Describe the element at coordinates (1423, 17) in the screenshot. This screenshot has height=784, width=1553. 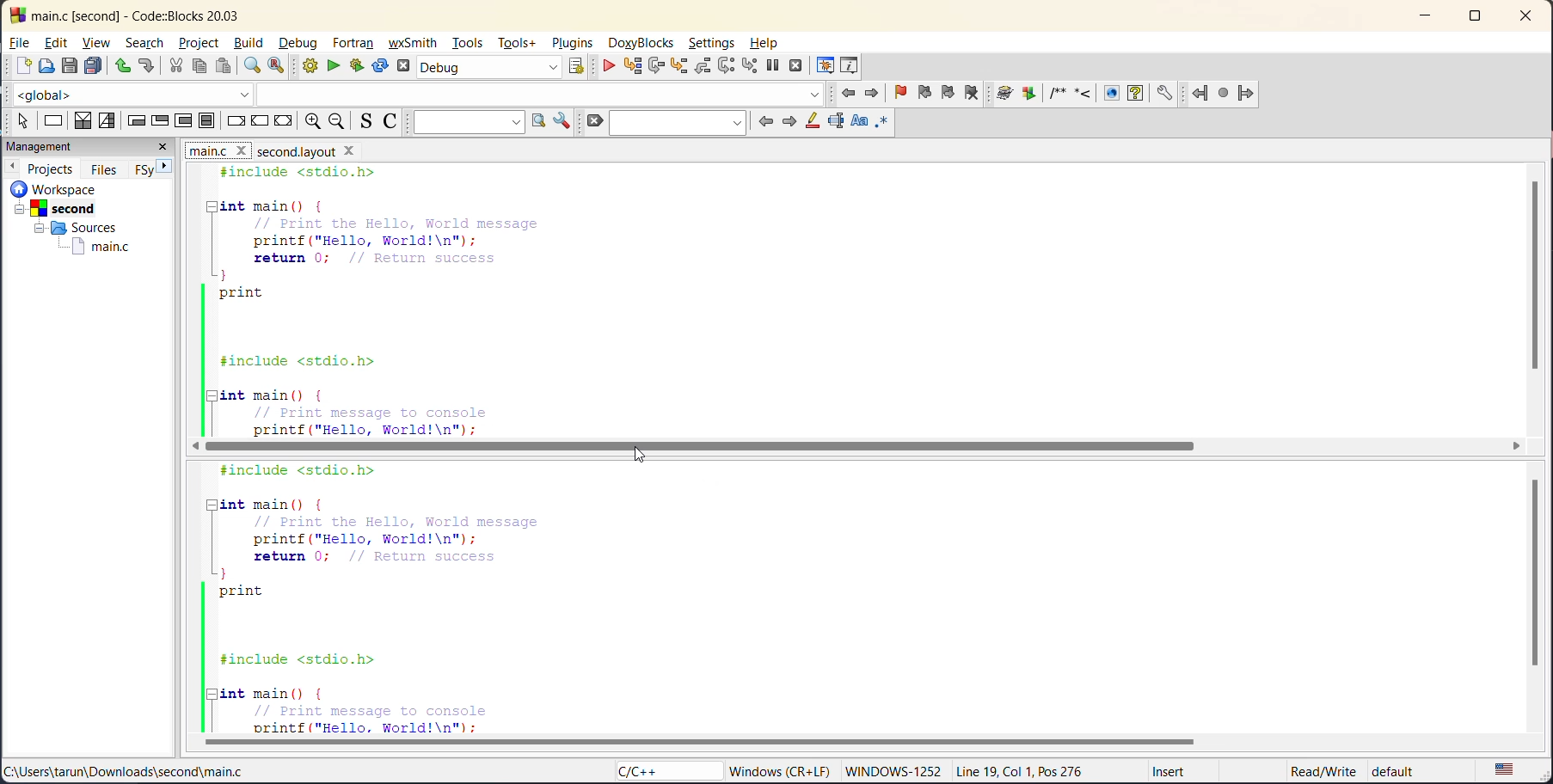
I see `minimize` at that location.